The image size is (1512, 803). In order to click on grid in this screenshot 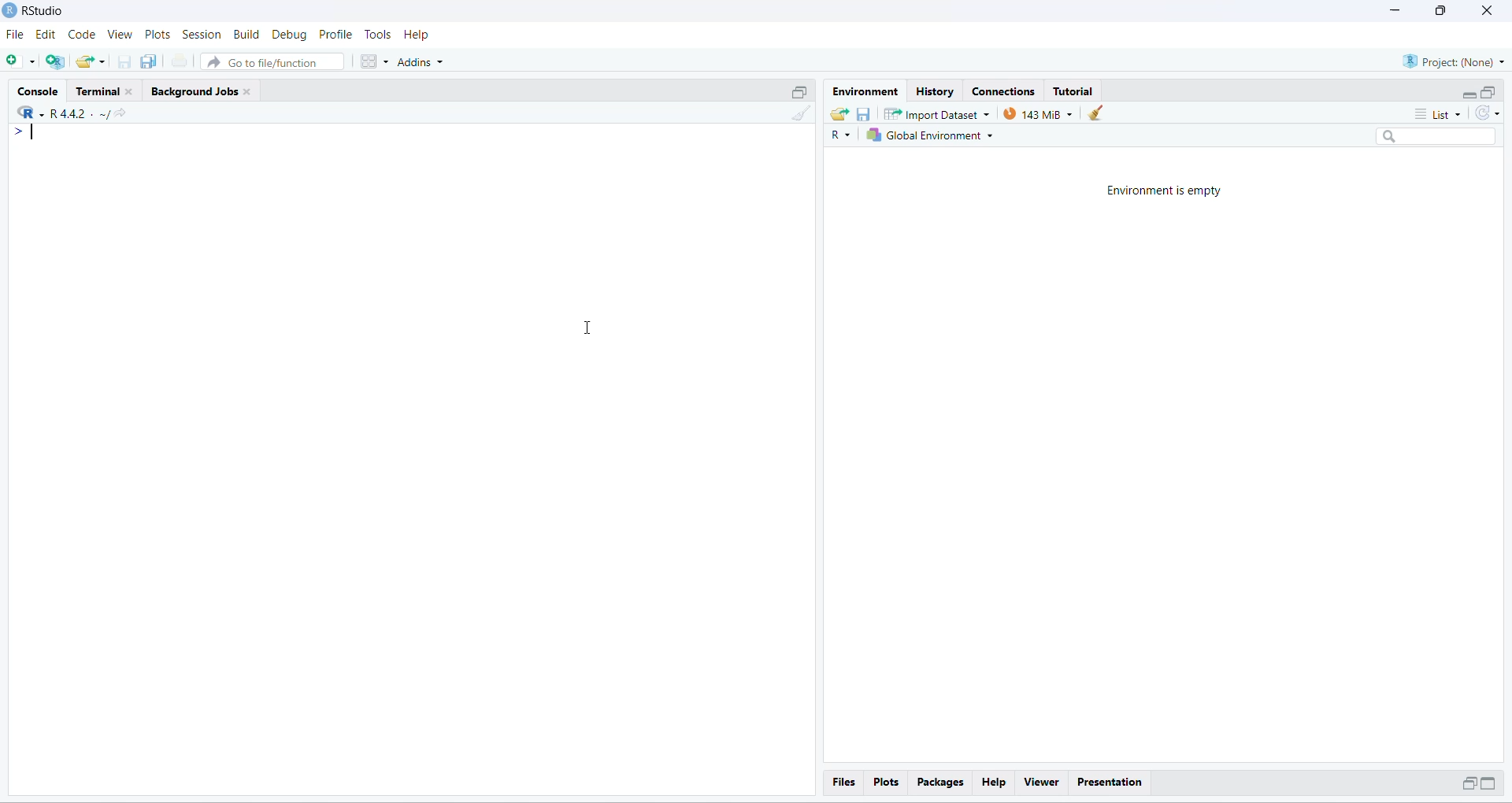, I will do `click(376, 62)`.